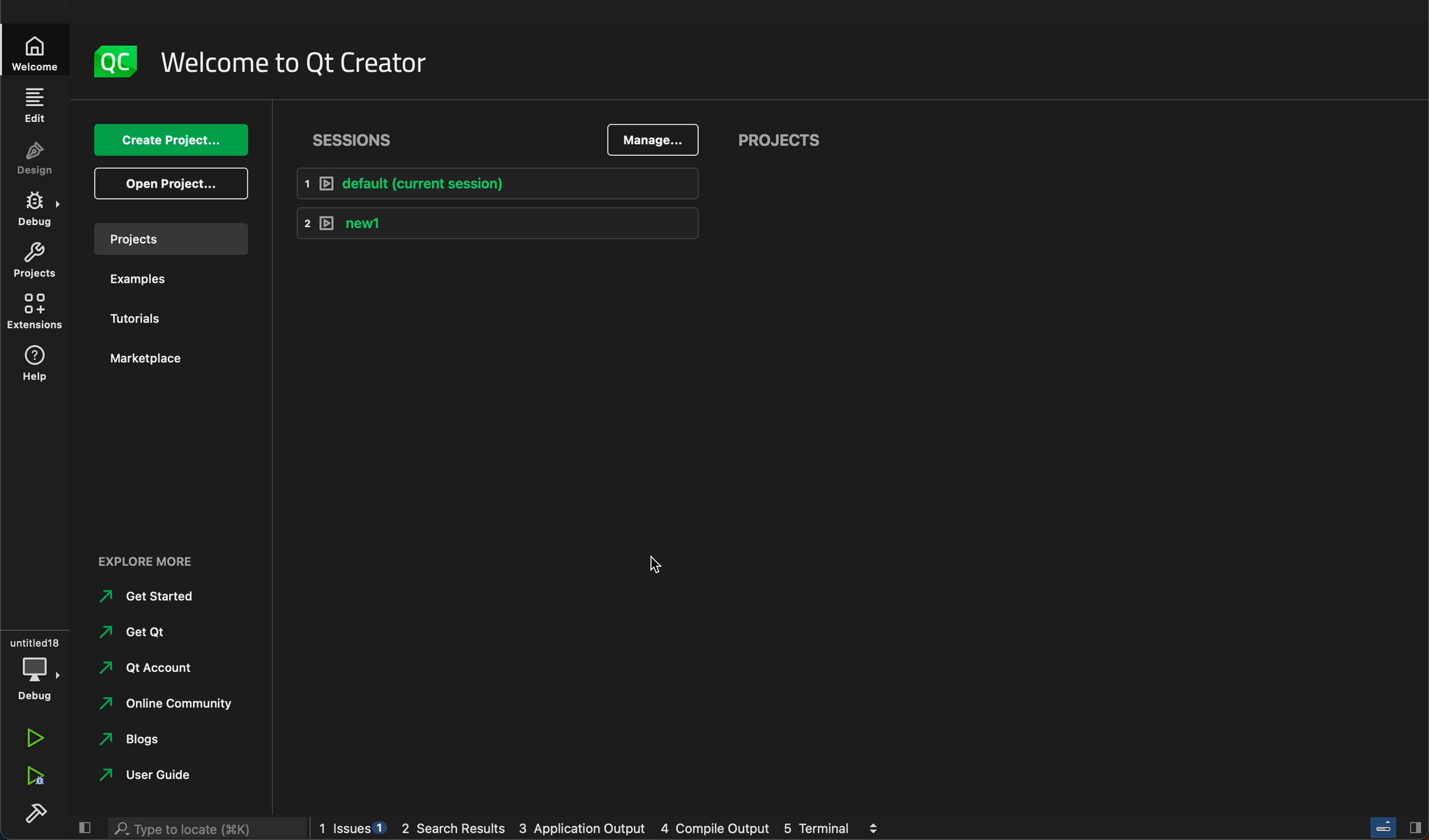 This screenshot has height=840, width=1429. Describe the element at coordinates (649, 140) in the screenshot. I see `manage` at that location.